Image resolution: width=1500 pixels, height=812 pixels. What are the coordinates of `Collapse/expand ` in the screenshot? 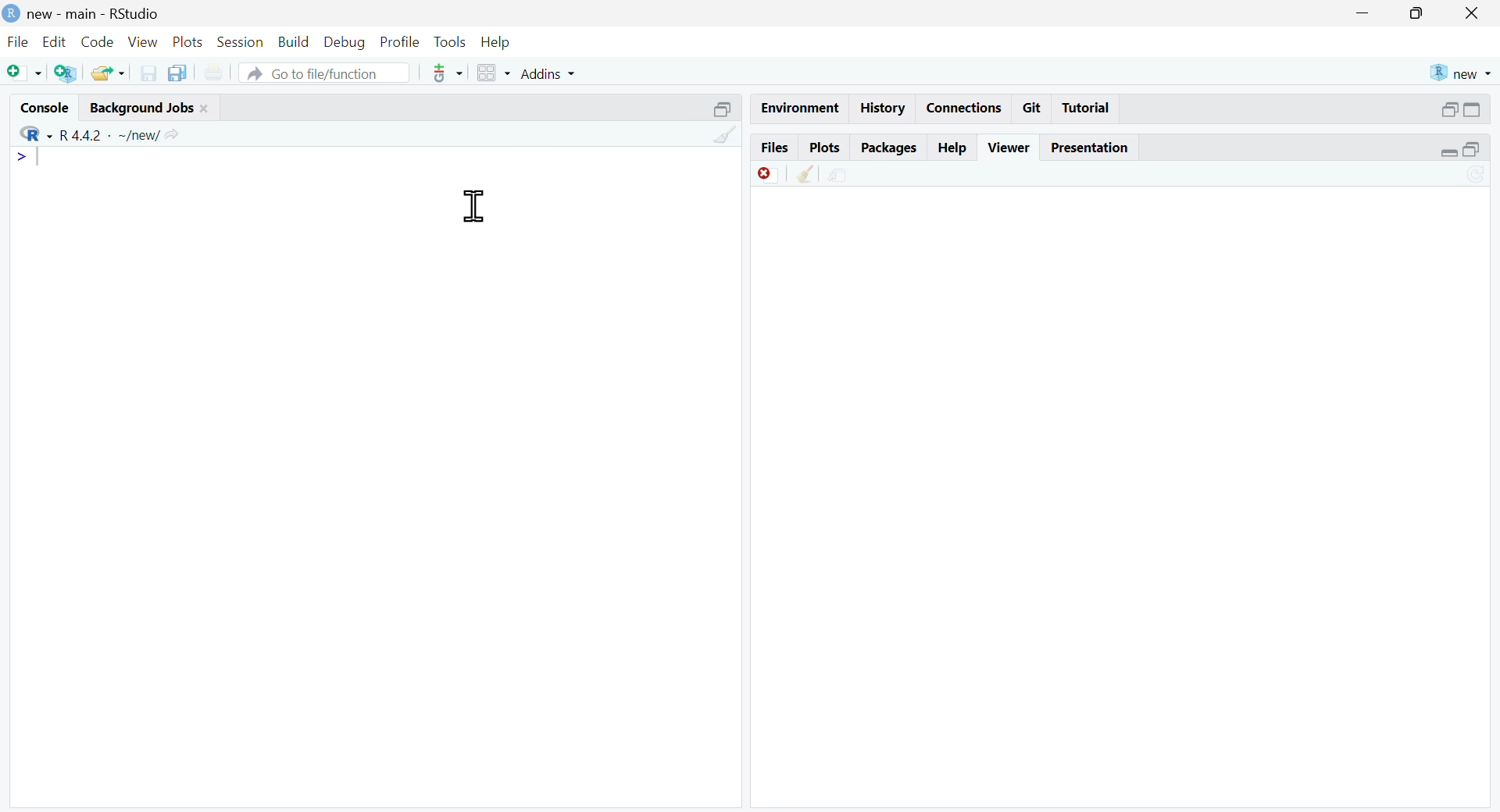 It's located at (1448, 152).